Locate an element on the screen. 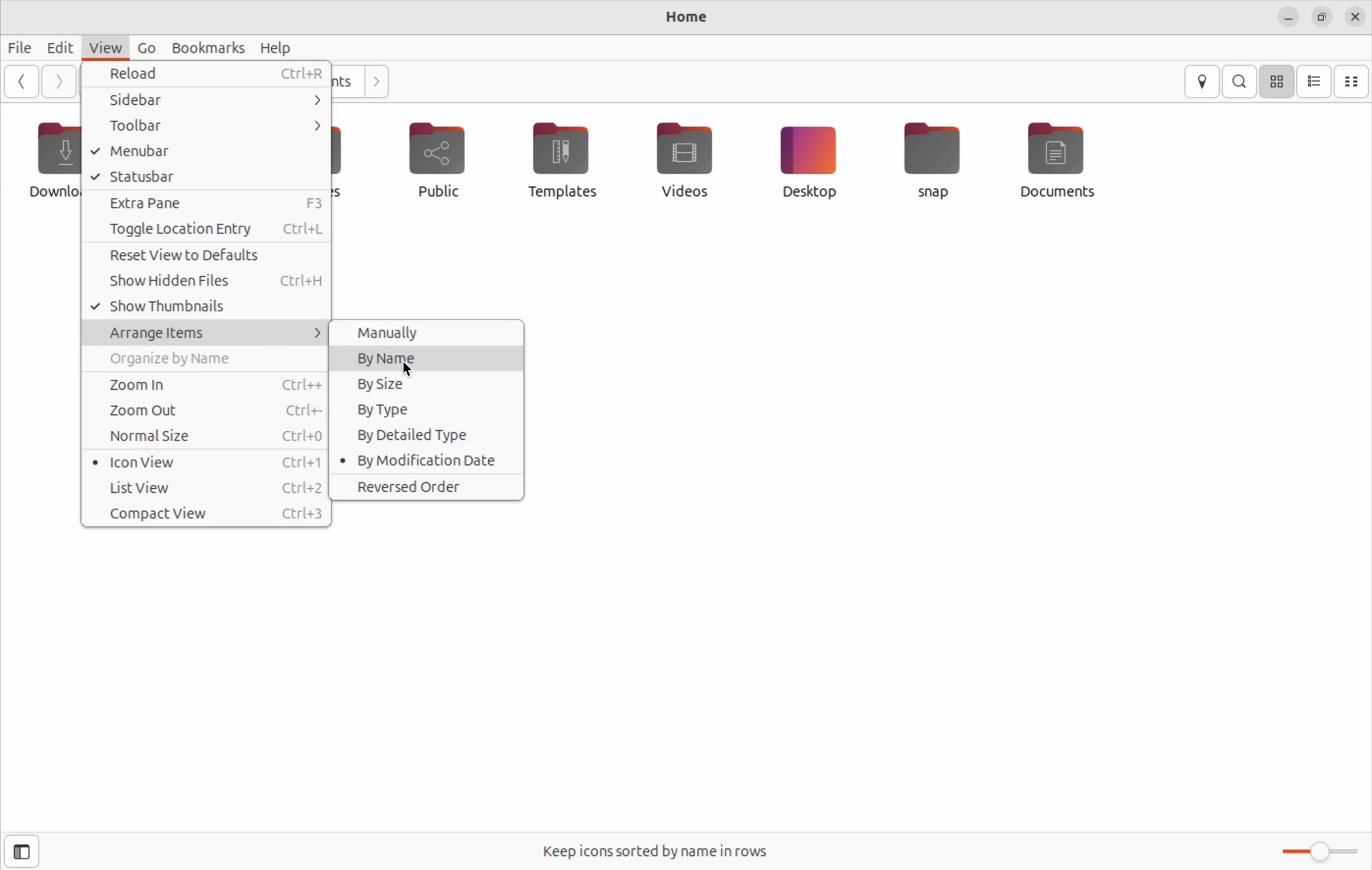 The width and height of the screenshot is (1372, 870). minimize is located at coordinates (1287, 18).